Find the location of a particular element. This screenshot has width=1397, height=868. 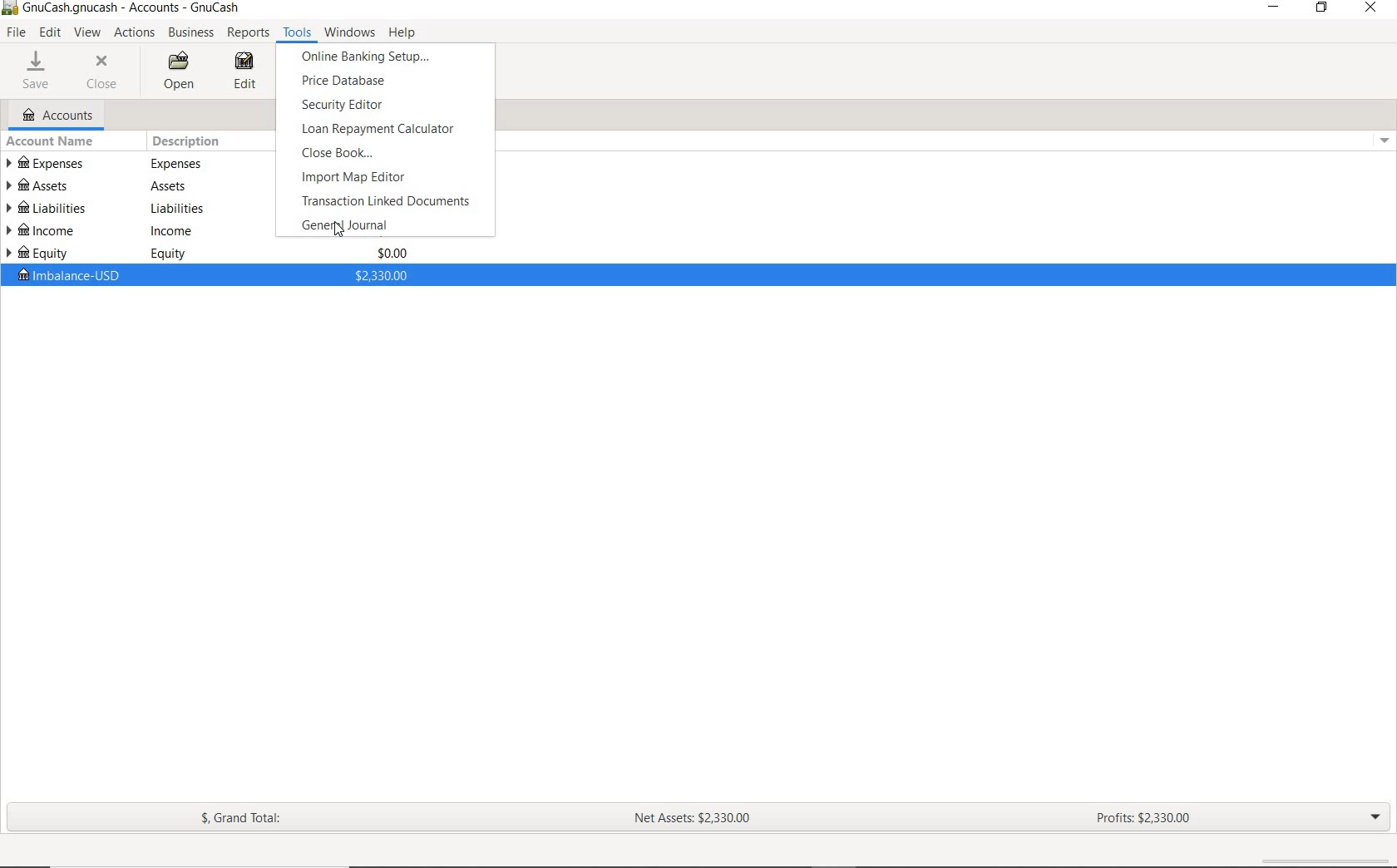

SECURITY EDITOR is located at coordinates (386, 106).